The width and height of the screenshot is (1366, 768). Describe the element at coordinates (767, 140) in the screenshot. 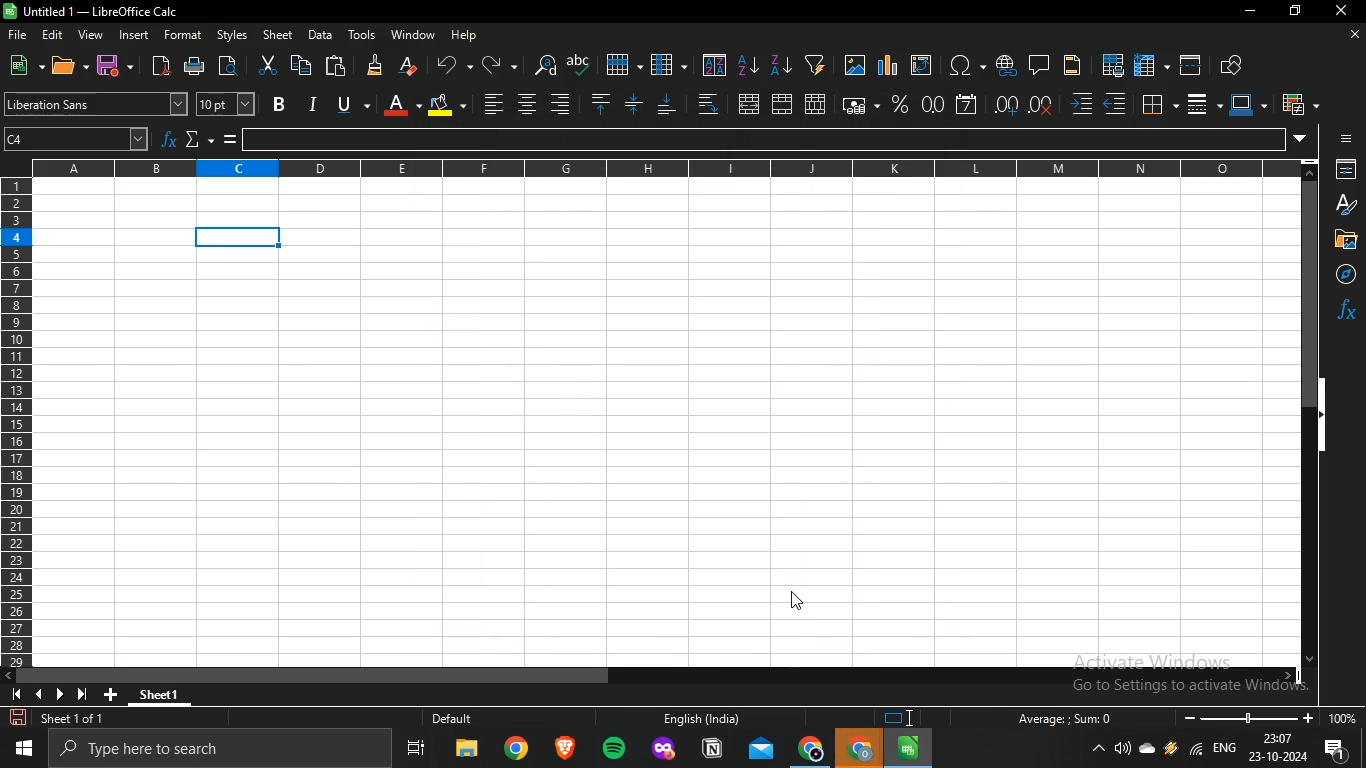

I see `input line` at that location.